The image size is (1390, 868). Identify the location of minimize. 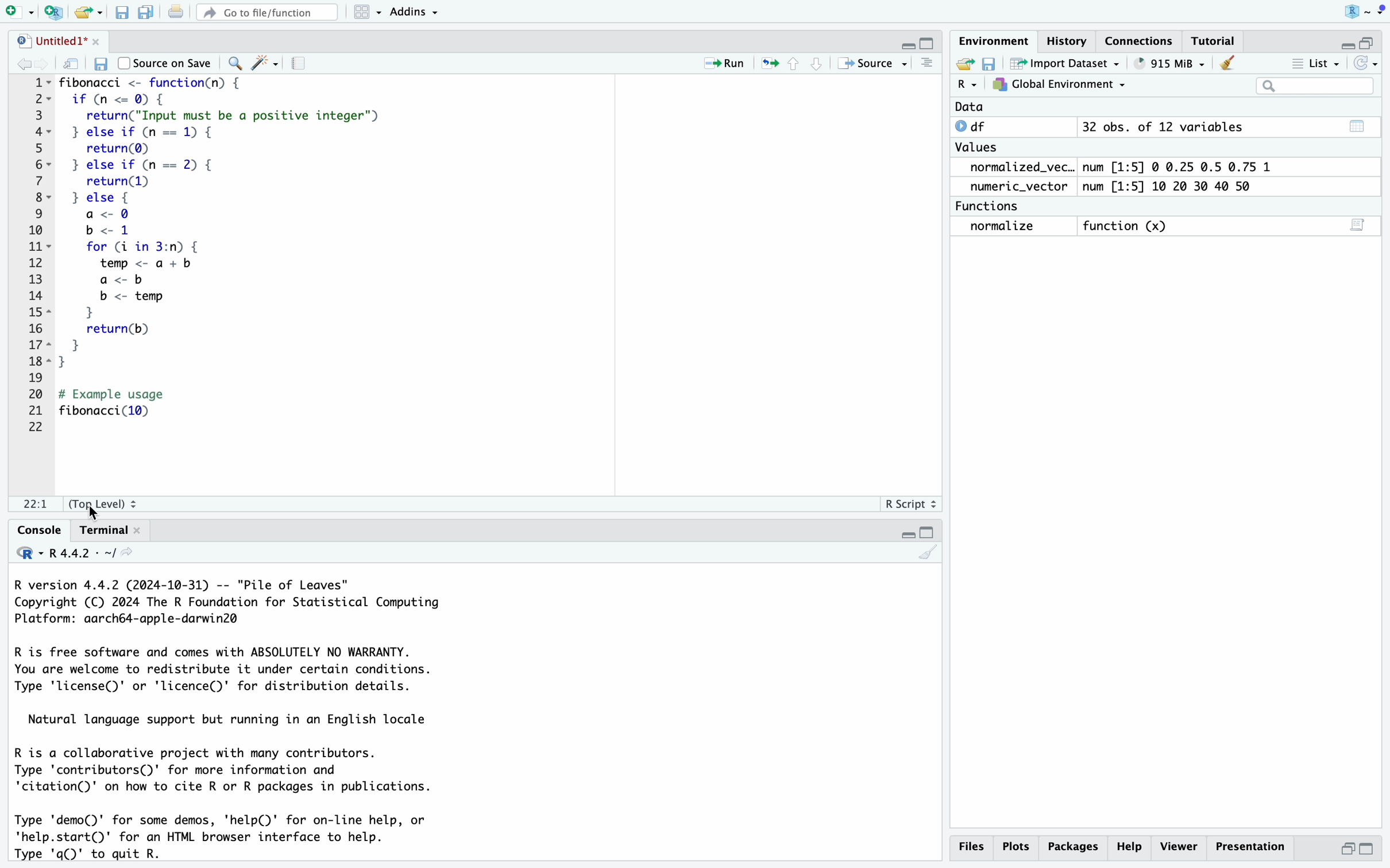
(903, 41).